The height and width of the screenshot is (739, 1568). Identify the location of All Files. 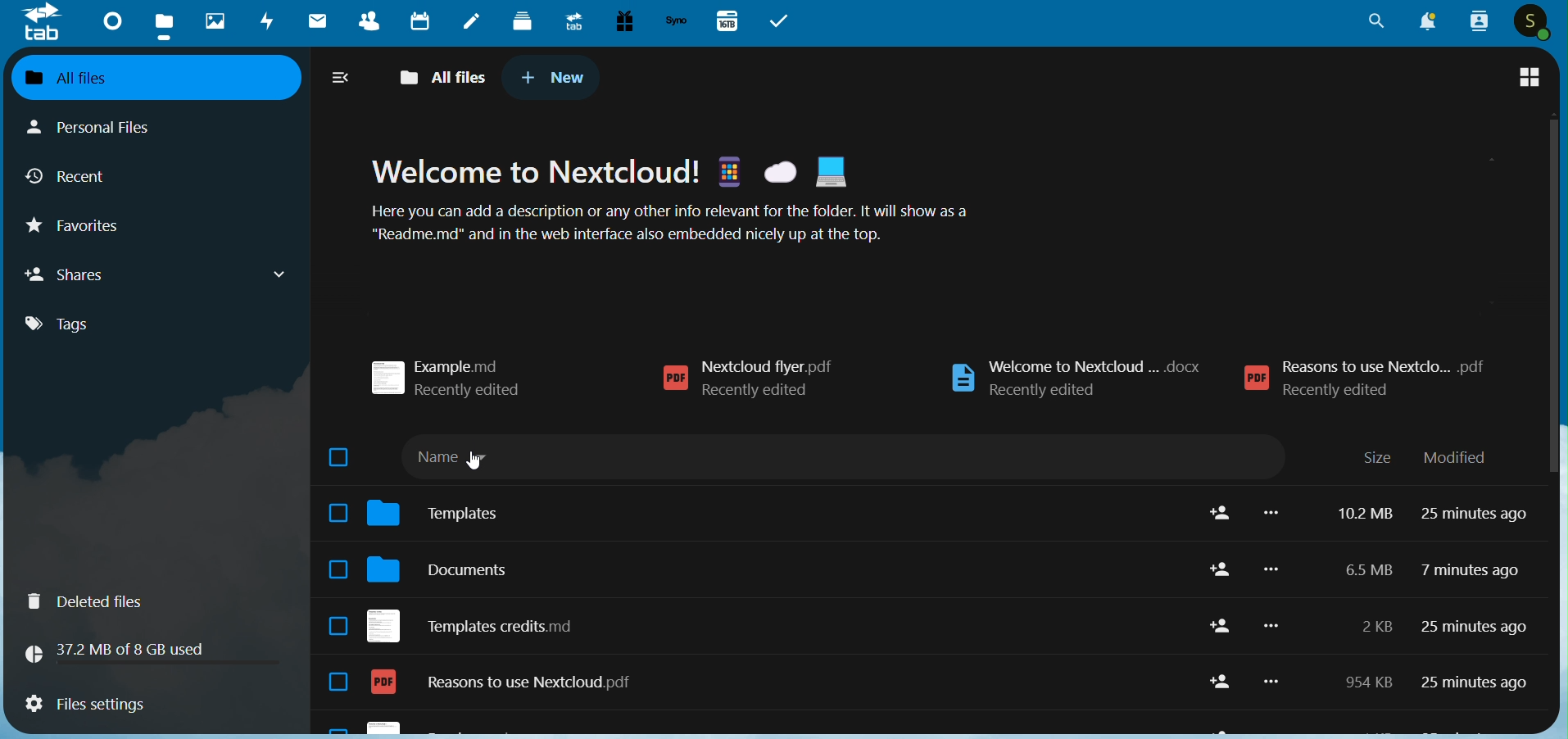
(441, 75).